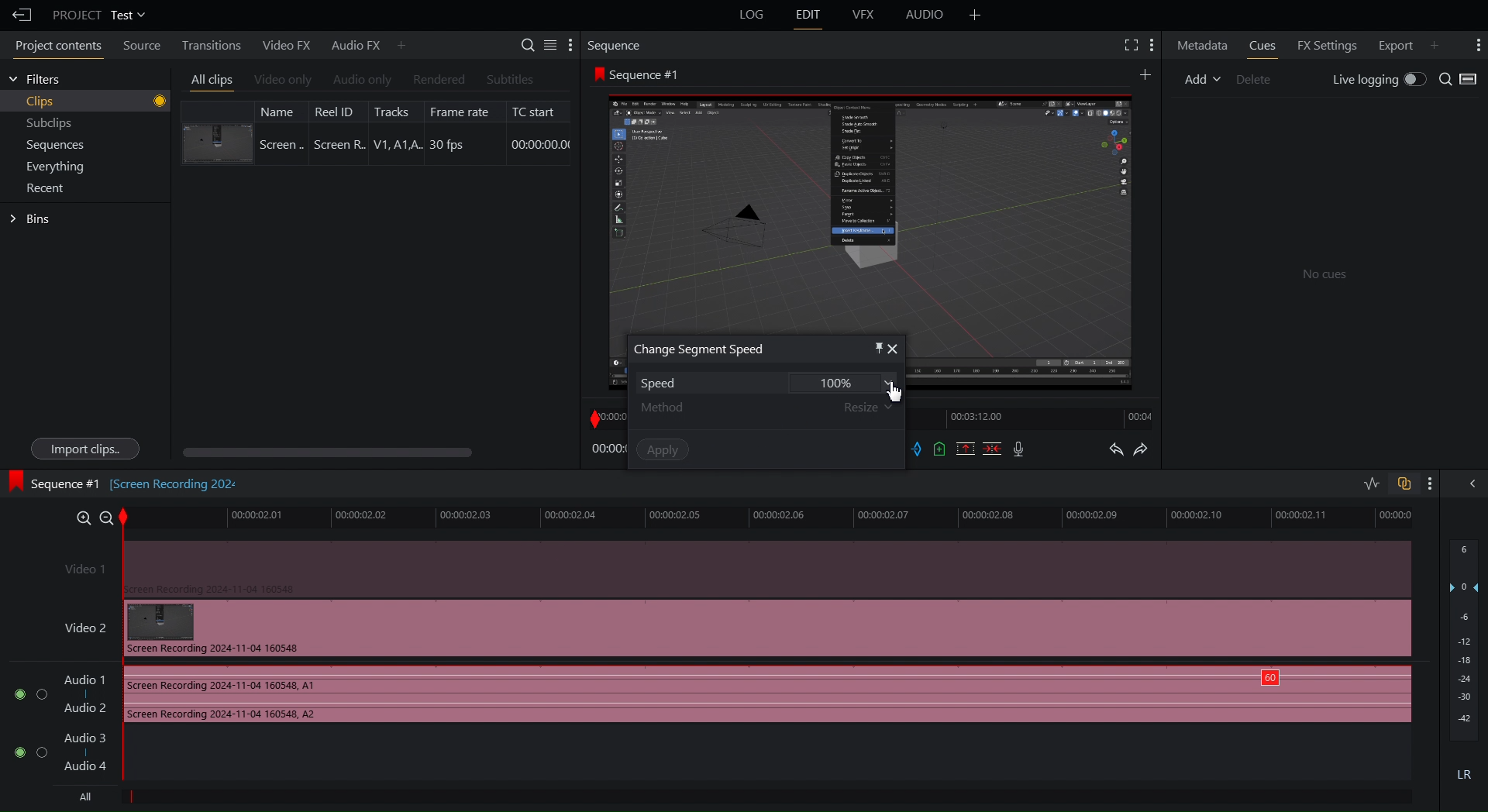  What do you see at coordinates (1392, 43) in the screenshot?
I see `Export` at bounding box center [1392, 43].